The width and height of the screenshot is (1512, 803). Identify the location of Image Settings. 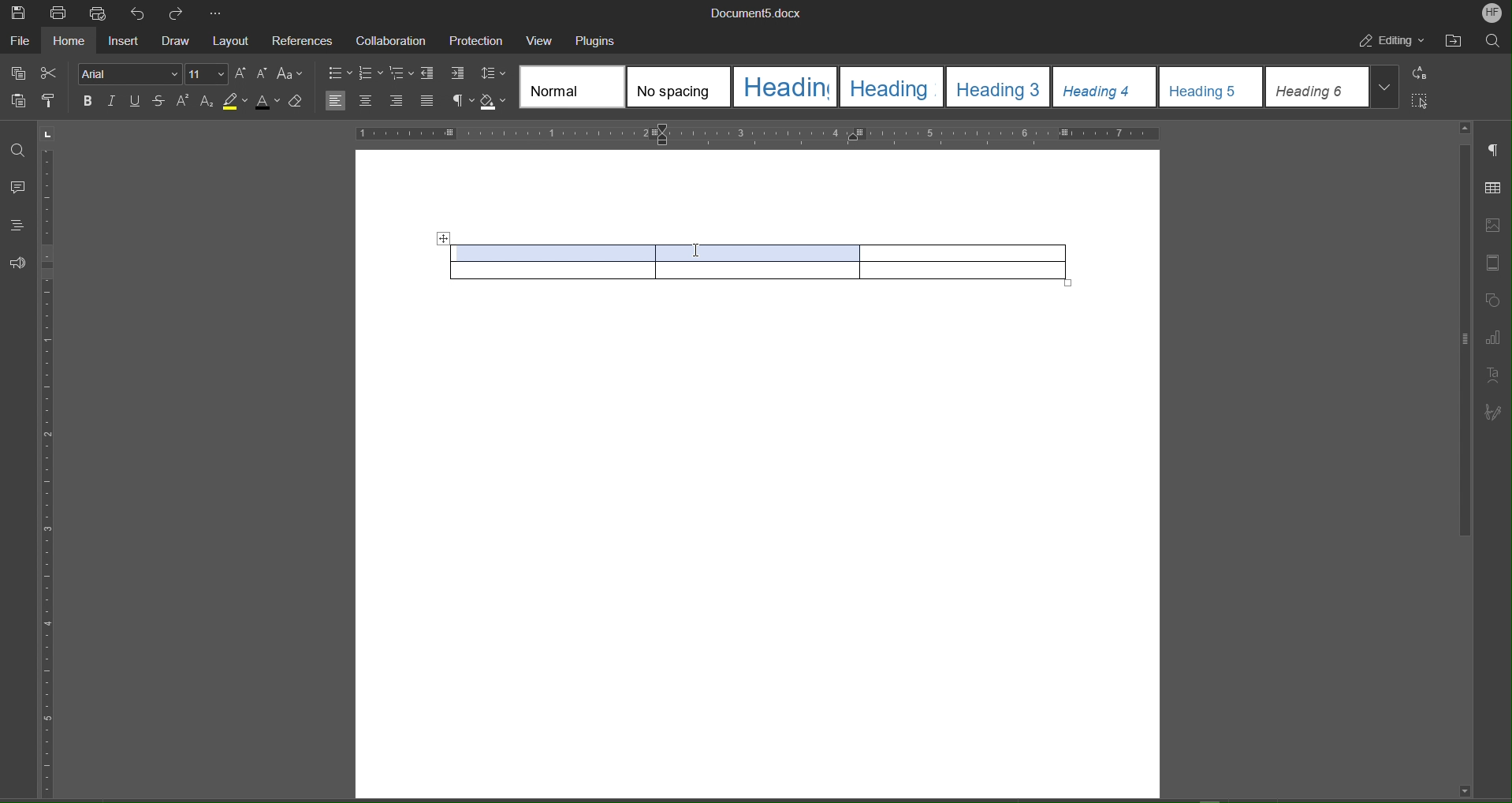
(1495, 221).